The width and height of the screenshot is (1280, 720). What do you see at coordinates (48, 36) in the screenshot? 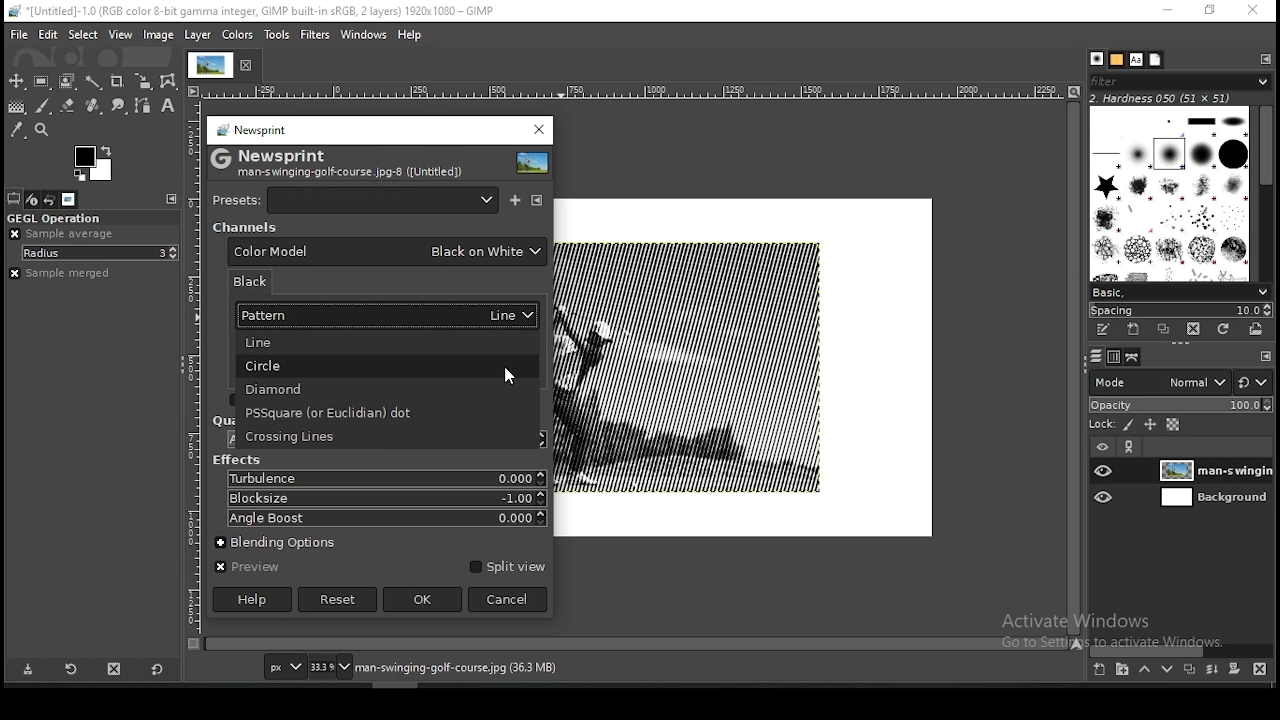
I see `edit` at bounding box center [48, 36].